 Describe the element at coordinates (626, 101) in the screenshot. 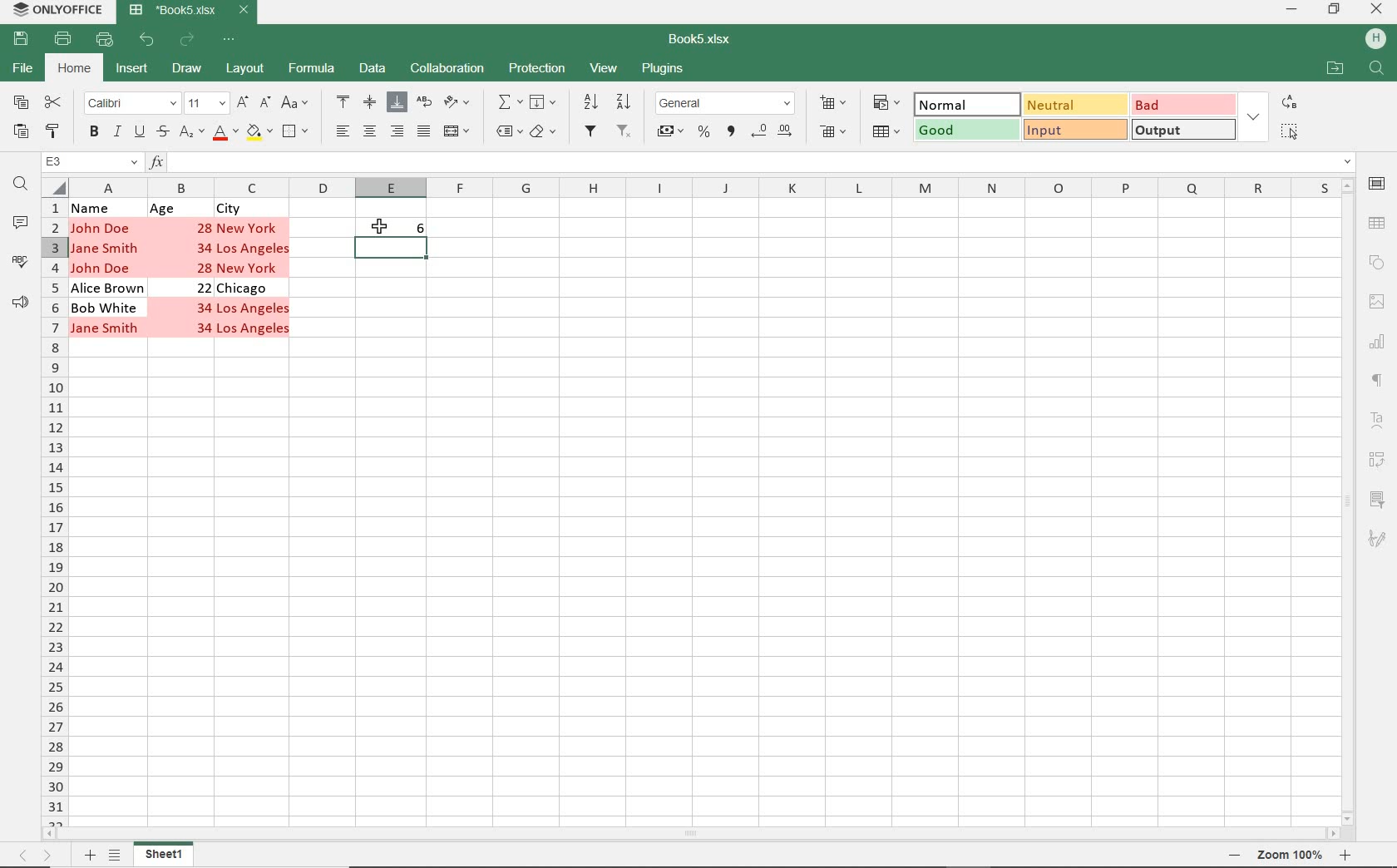

I see `SORT DESCENDING` at that location.